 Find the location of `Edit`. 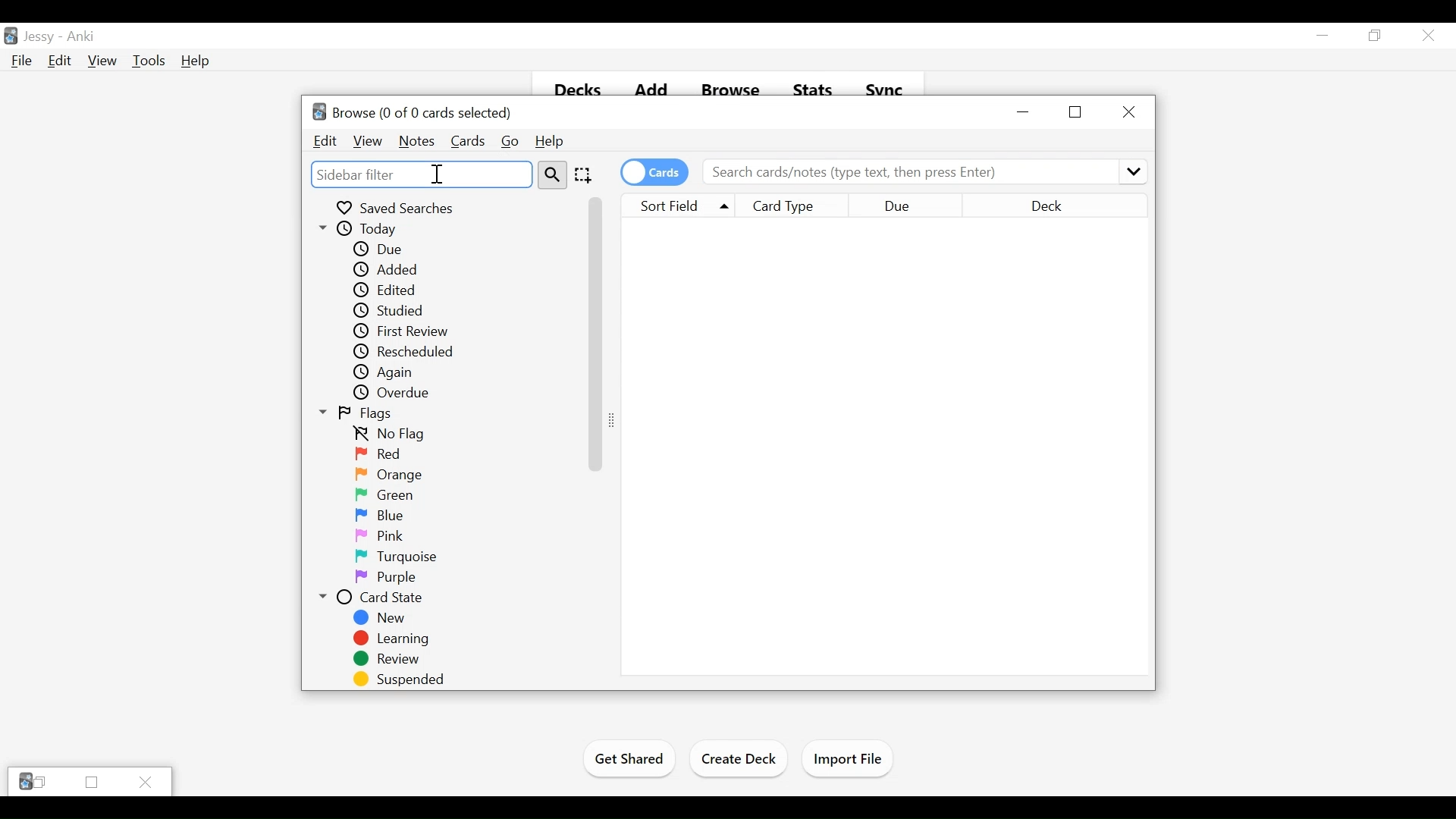

Edit is located at coordinates (326, 142).